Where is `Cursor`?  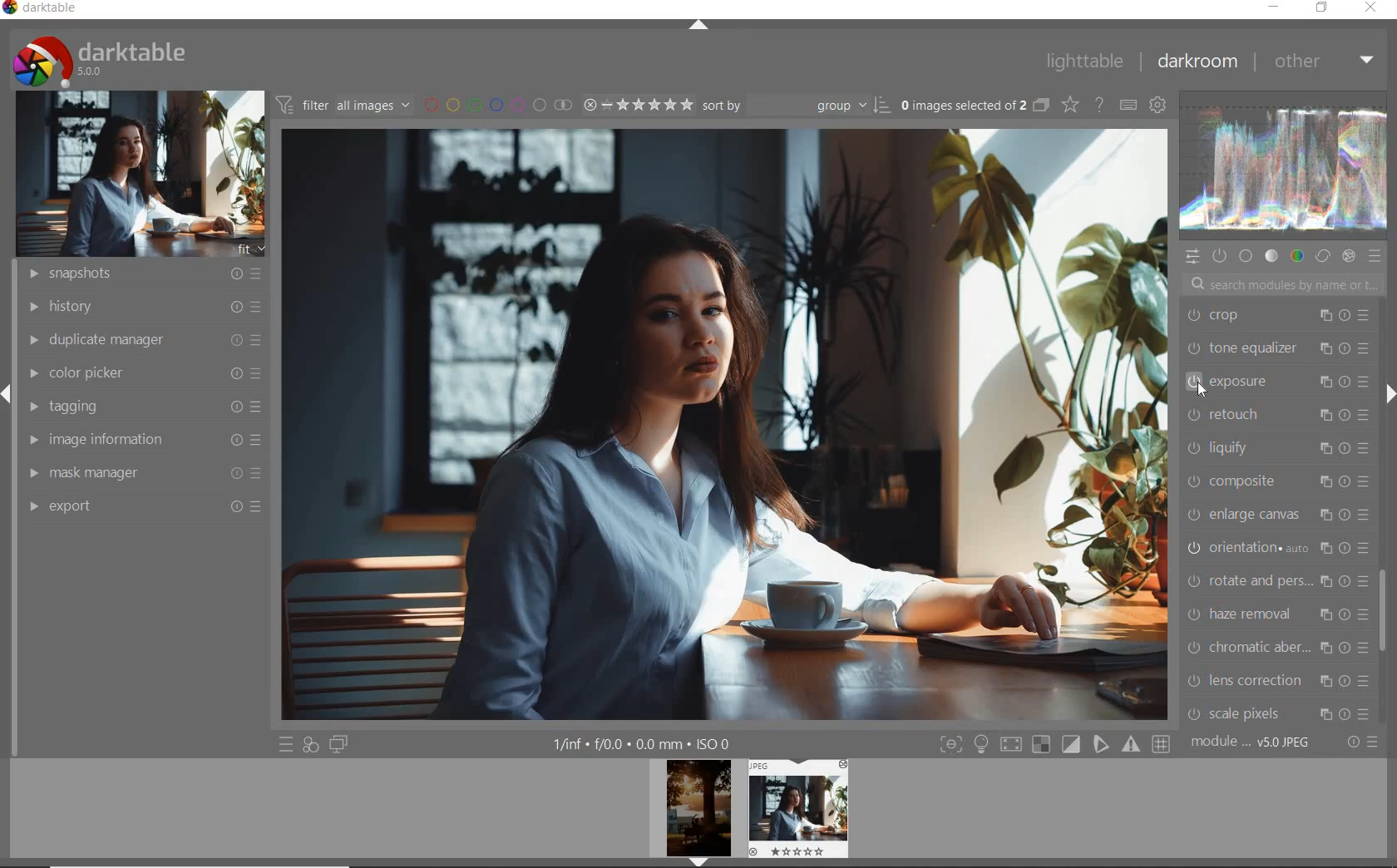 Cursor is located at coordinates (1202, 390).